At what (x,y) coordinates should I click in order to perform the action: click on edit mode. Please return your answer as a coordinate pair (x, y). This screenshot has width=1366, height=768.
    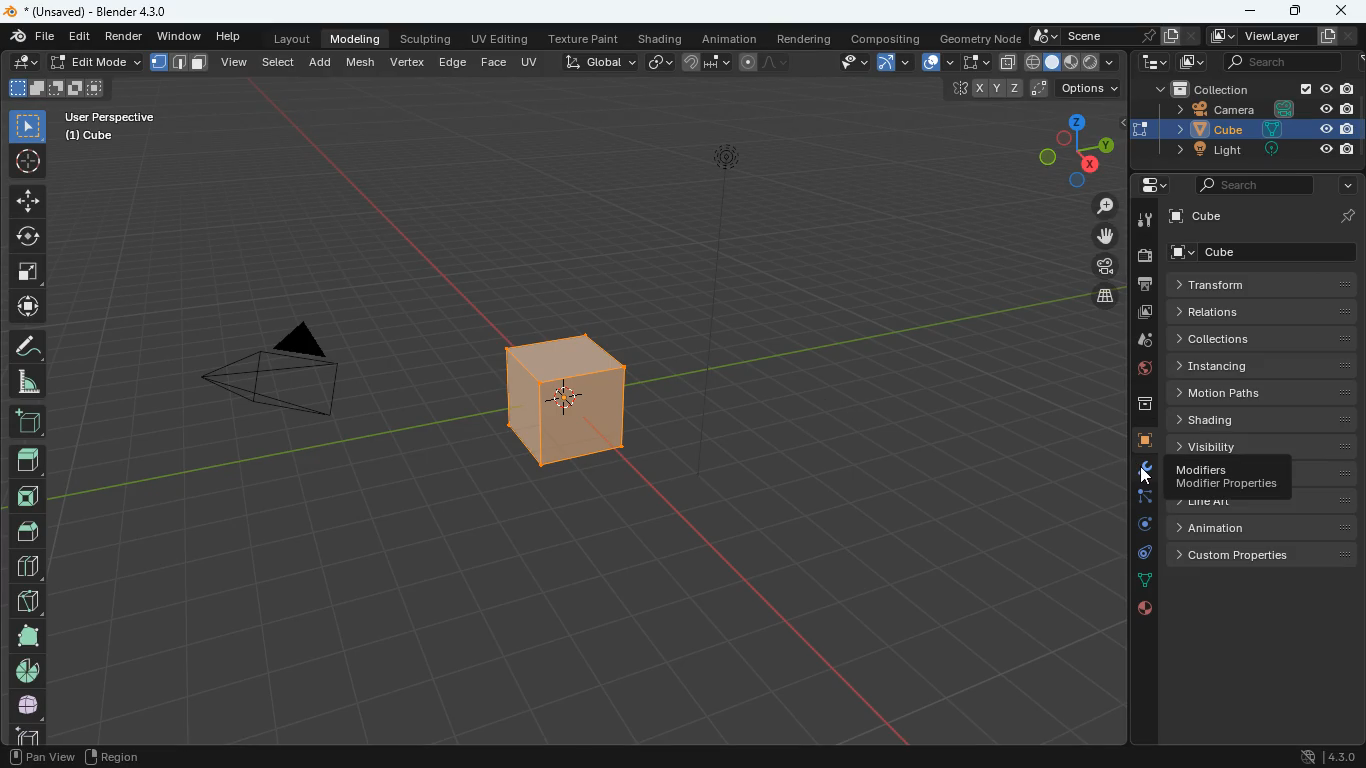
    Looking at the image, I should click on (93, 63).